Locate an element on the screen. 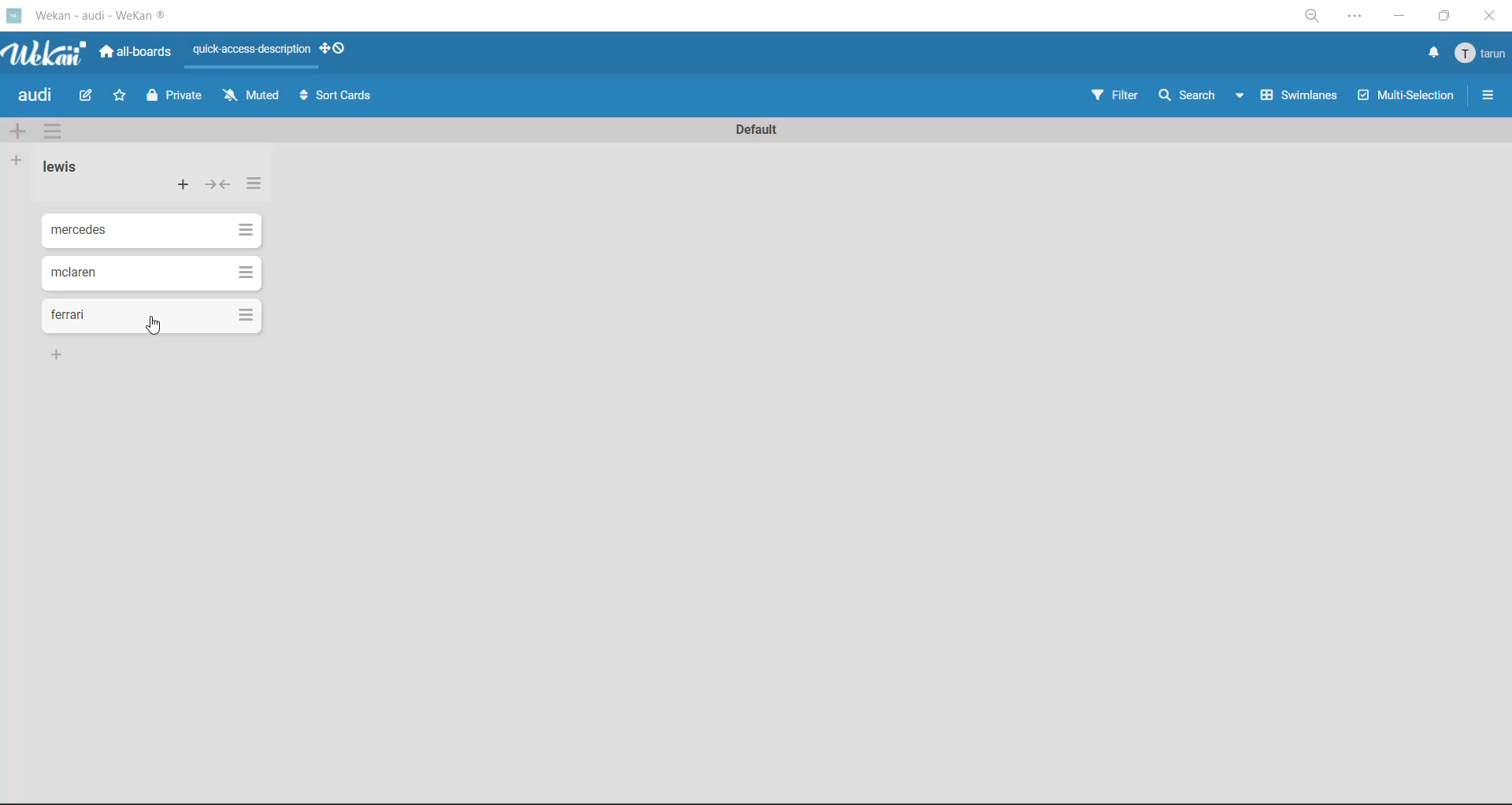  zoom is located at coordinates (1314, 16).